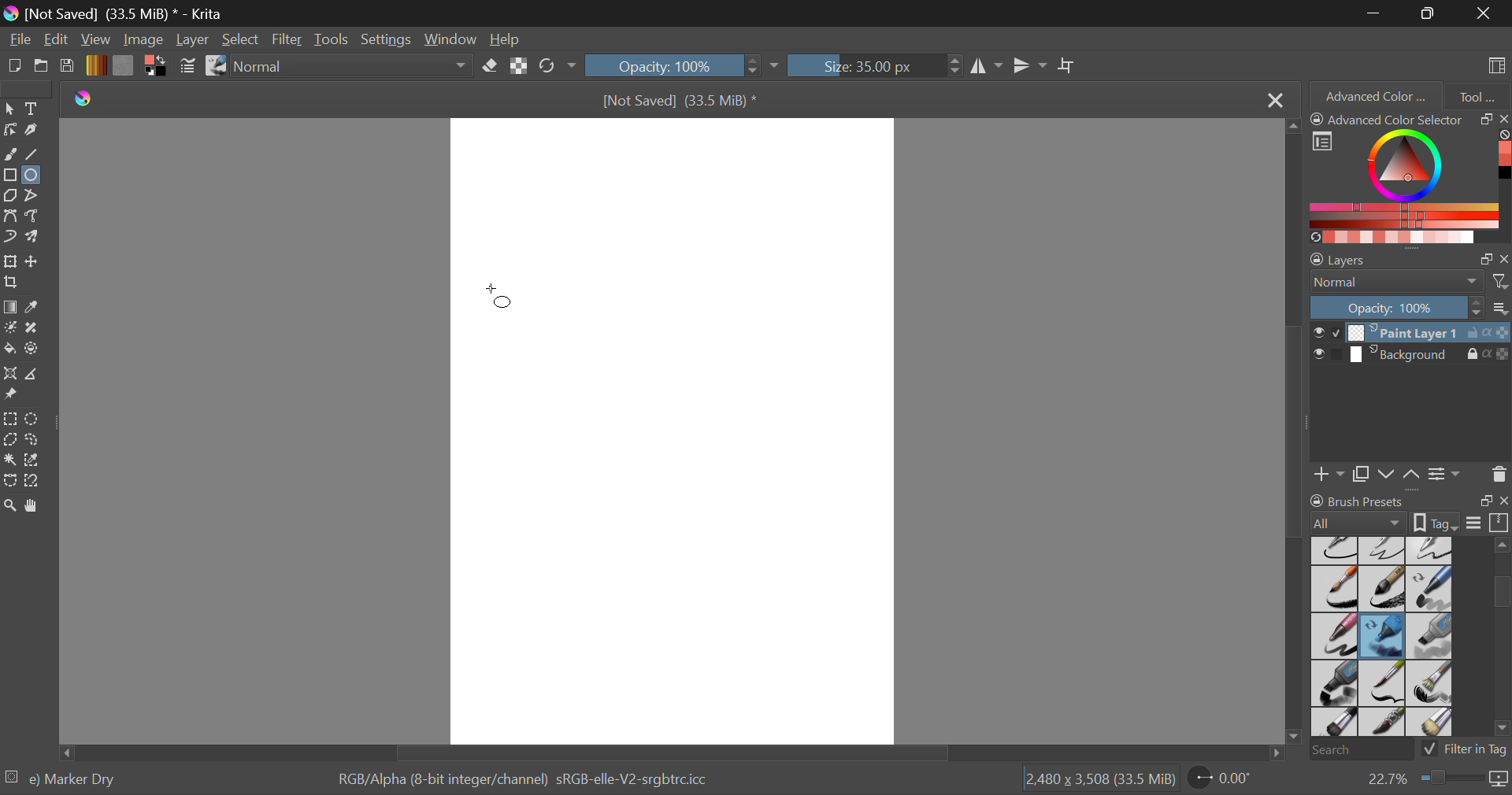 The image size is (1512, 795). I want to click on Copy, so click(1364, 471).